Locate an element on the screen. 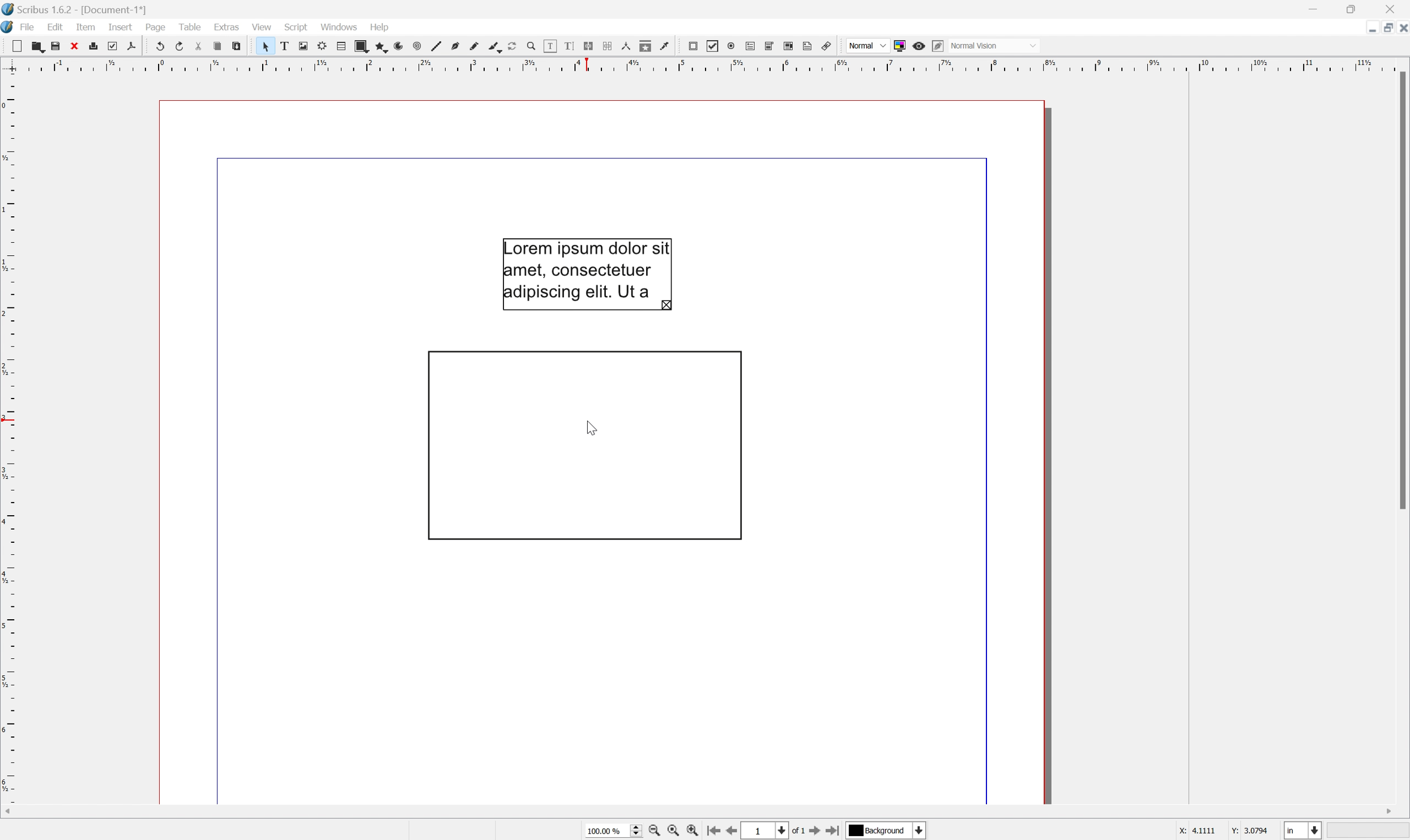 The height and width of the screenshot is (840, 1410). Text frame is located at coordinates (283, 48).